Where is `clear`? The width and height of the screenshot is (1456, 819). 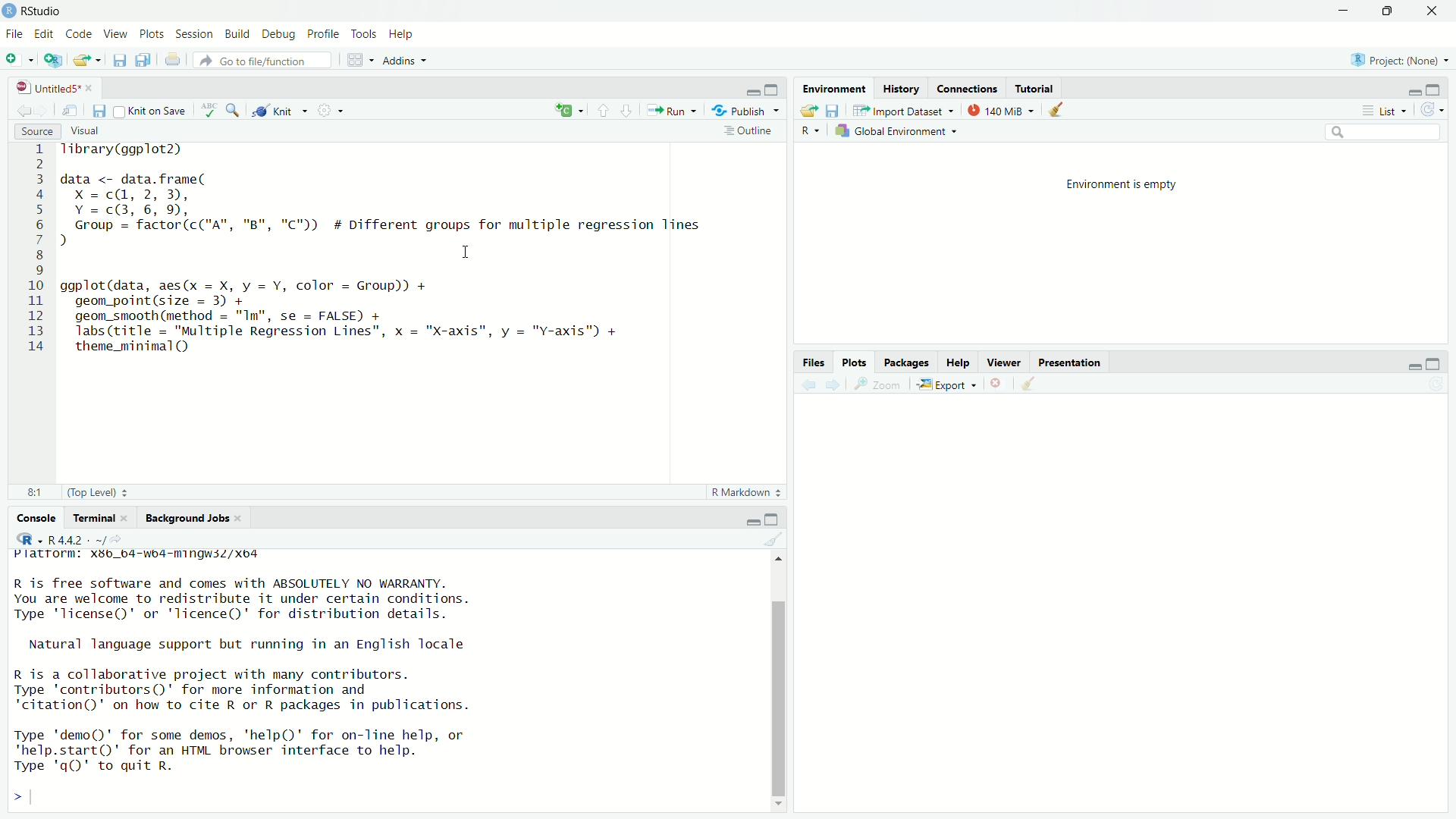
clear is located at coordinates (1040, 384).